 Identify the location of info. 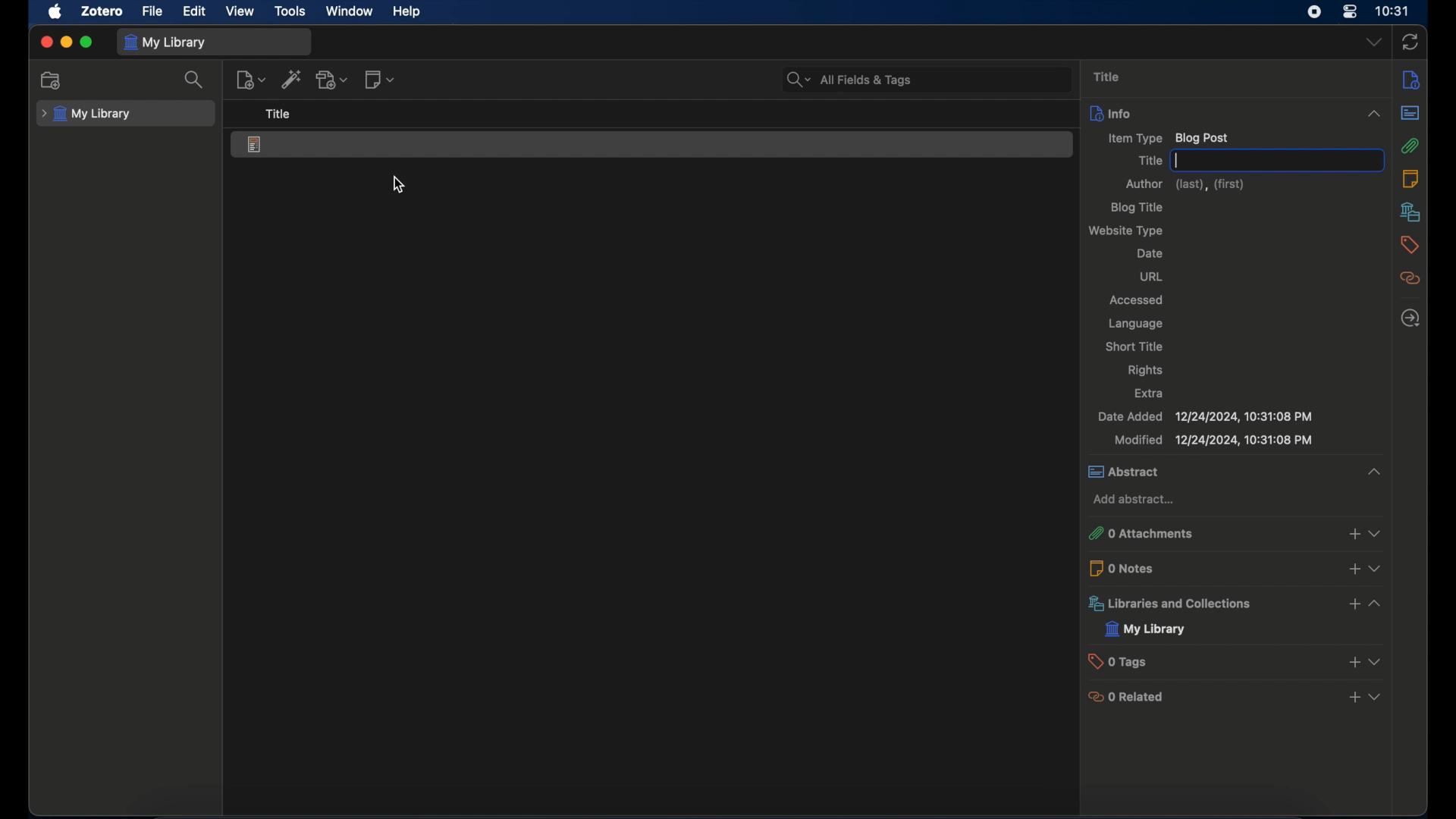
(1237, 112).